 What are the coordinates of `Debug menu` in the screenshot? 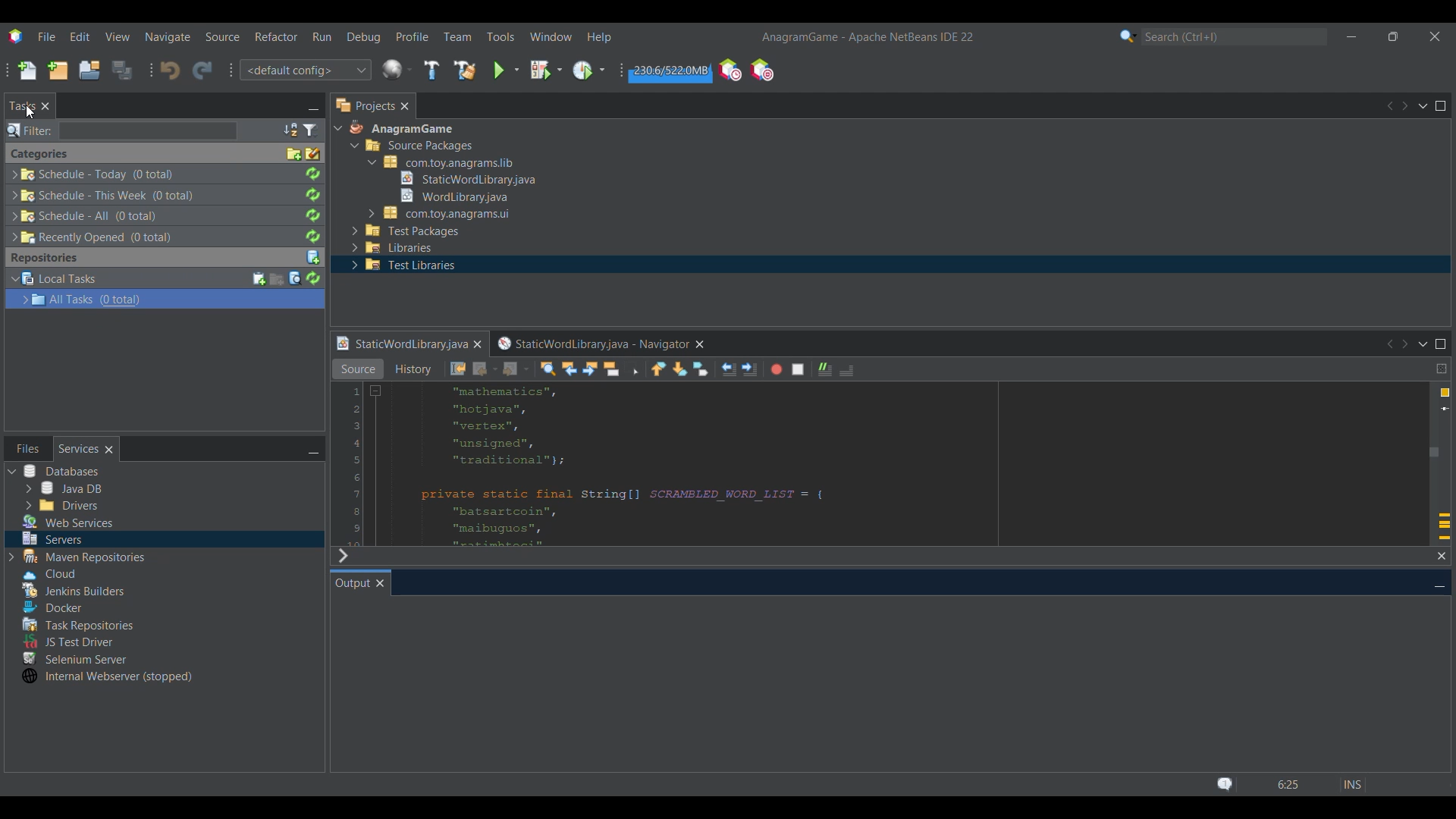 It's located at (362, 37).